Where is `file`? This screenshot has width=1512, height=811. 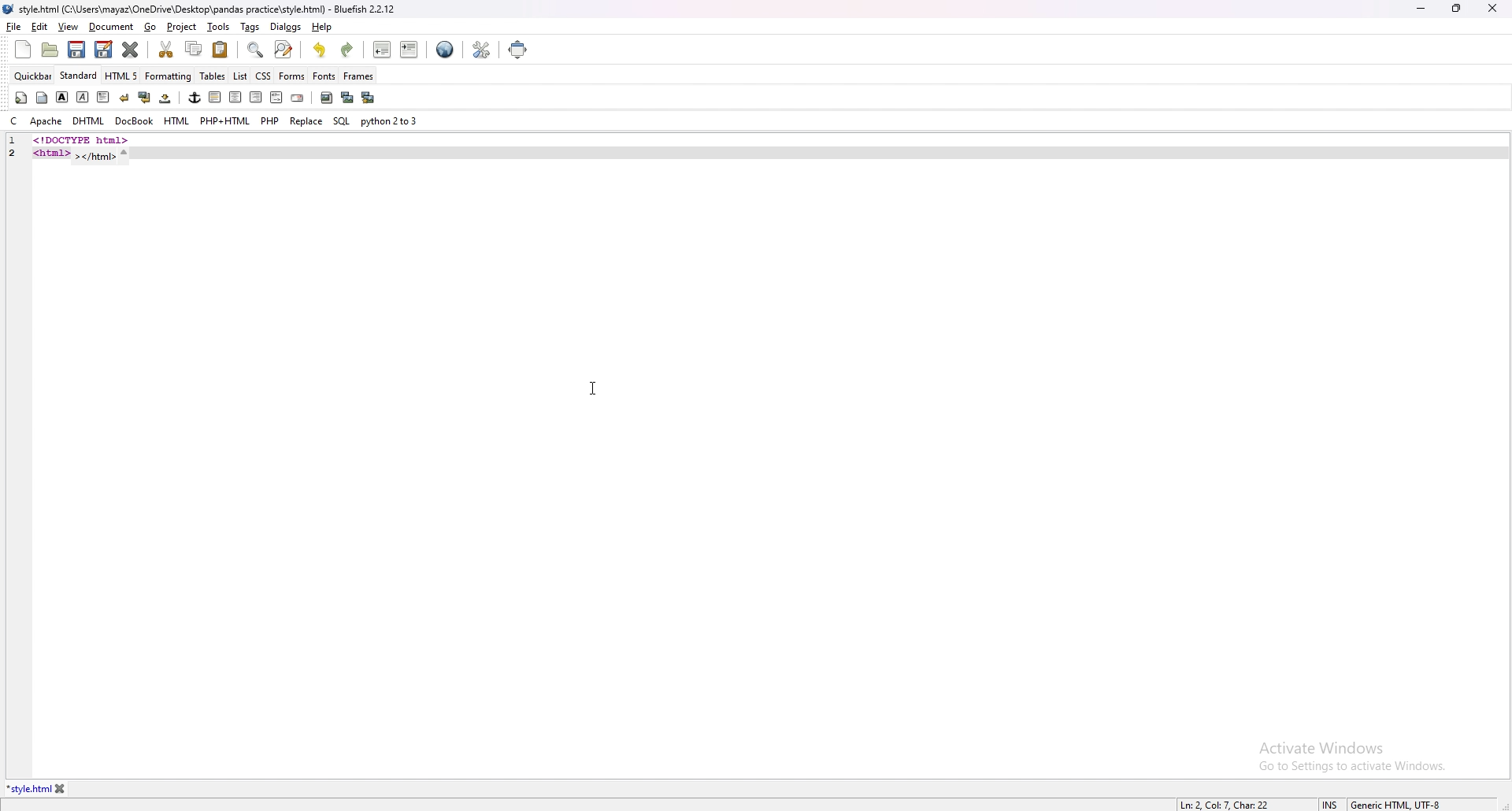
file is located at coordinates (14, 26).